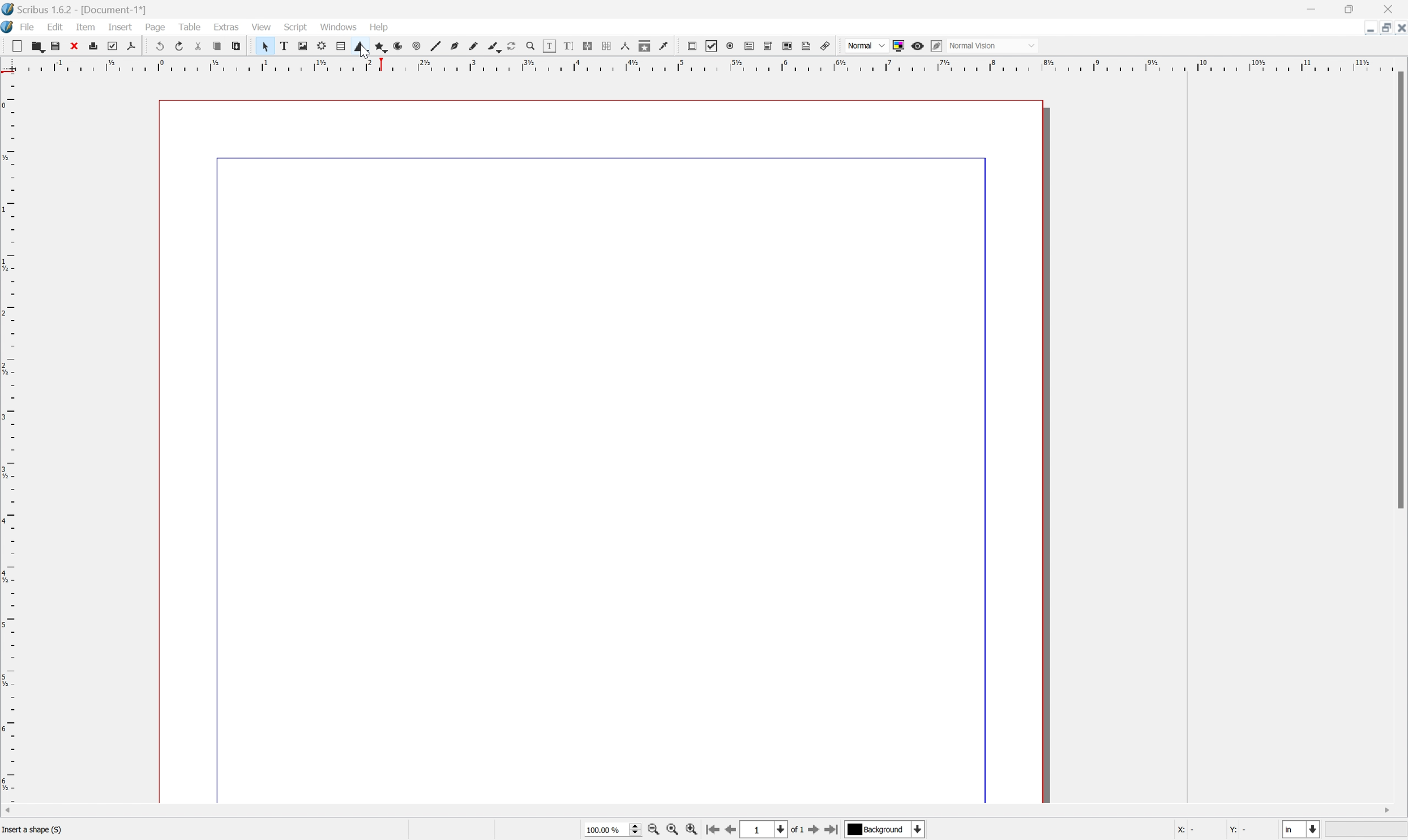 This screenshot has height=840, width=1408. Describe the element at coordinates (121, 27) in the screenshot. I see `Insert` at that location.